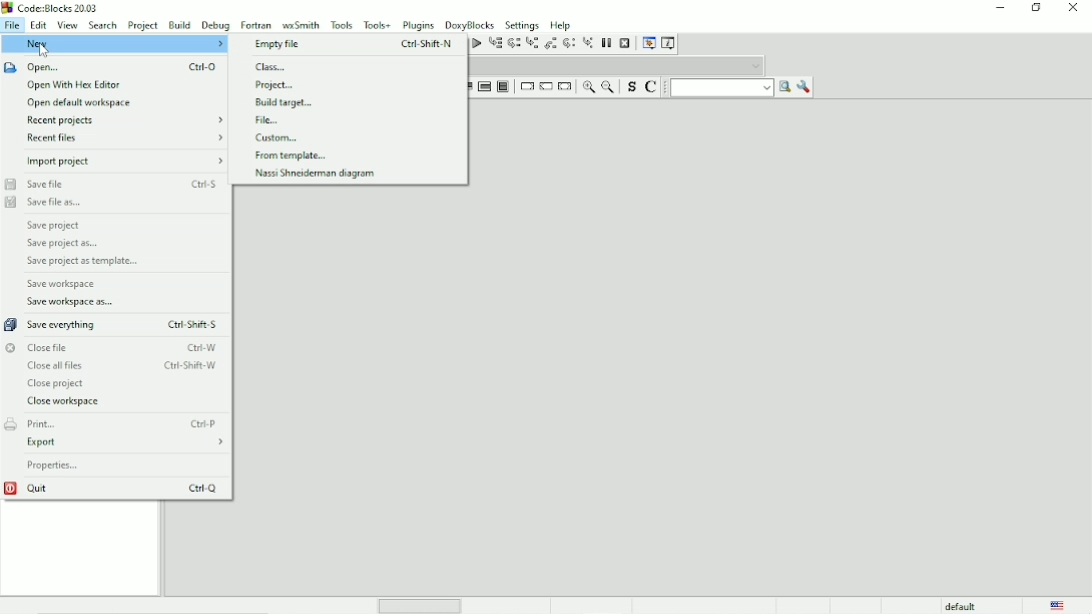 This screenshot has height=614, width=1092. I want to click on Step into, so click(531, 44).